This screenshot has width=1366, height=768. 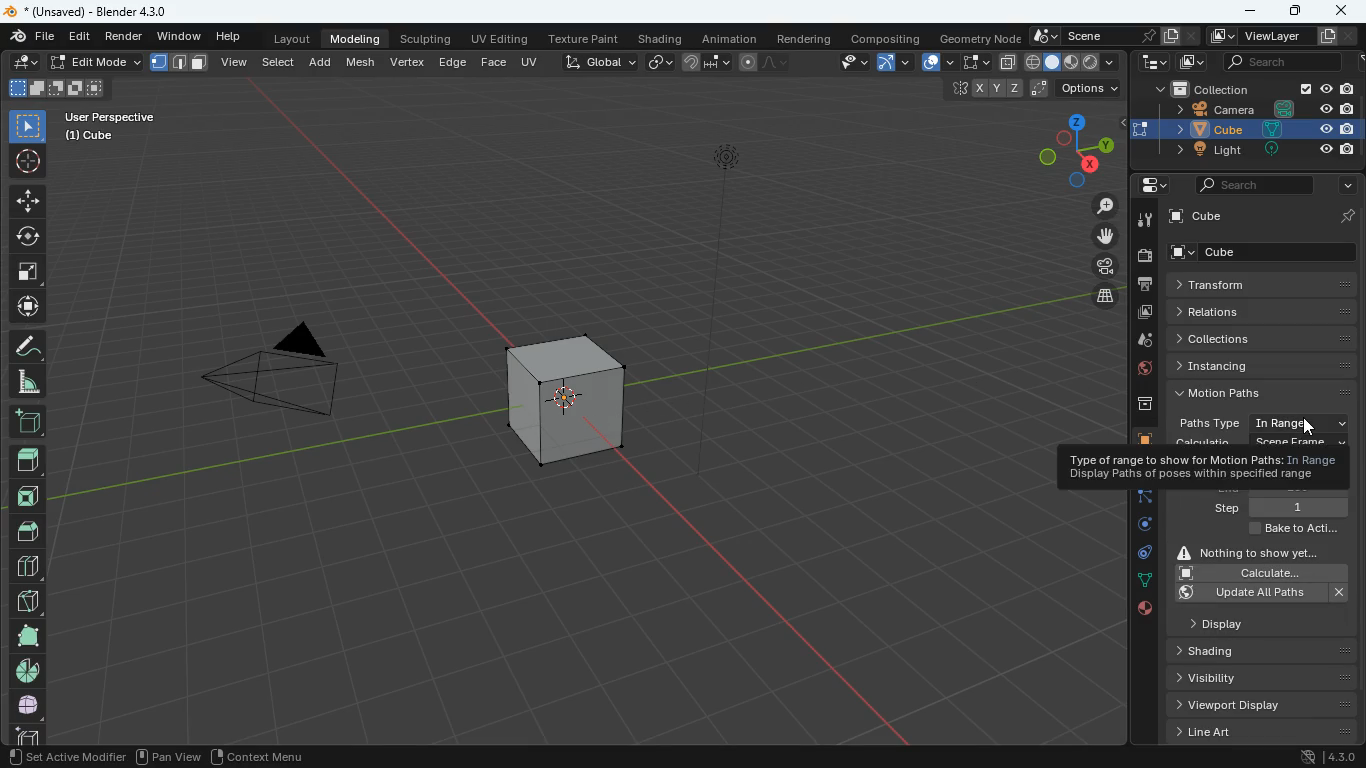 What do you see at coordinates (1074, 63) in the screenshot?
I see `layout` at bounding box center [1074, 63].